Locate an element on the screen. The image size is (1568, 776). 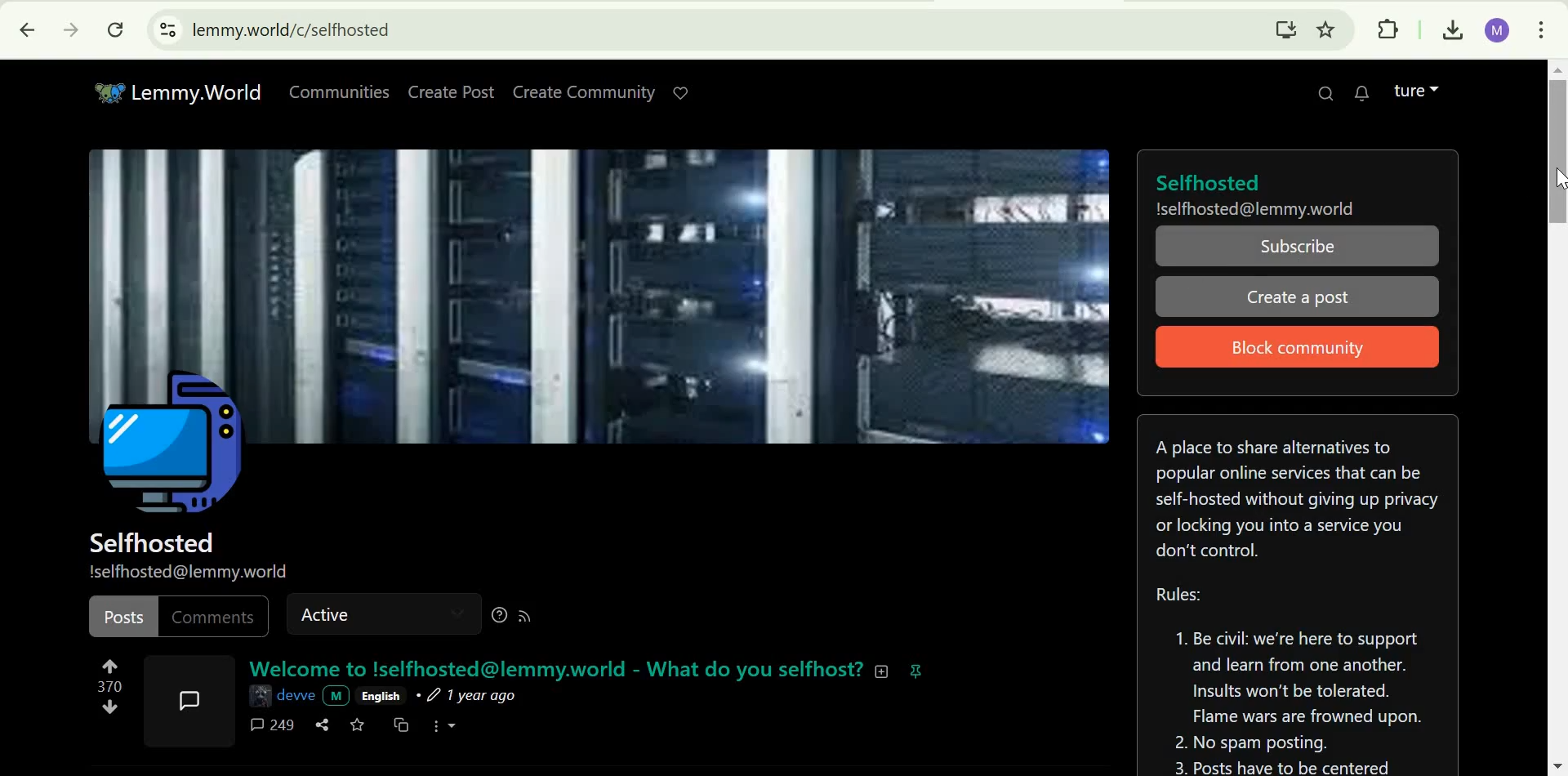
1 year ago is located at coordinates (466, 697).